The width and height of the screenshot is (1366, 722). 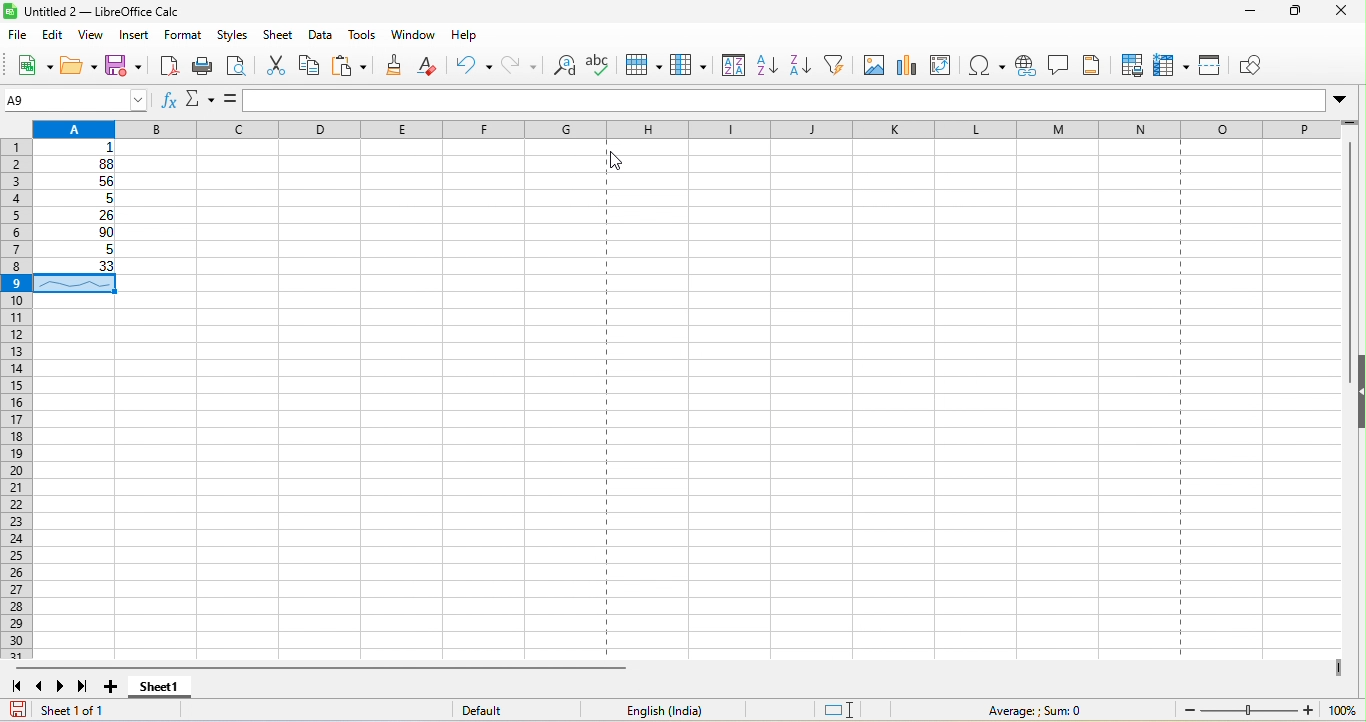 I want to click on hyperlink, so click(x=1024, y=68).